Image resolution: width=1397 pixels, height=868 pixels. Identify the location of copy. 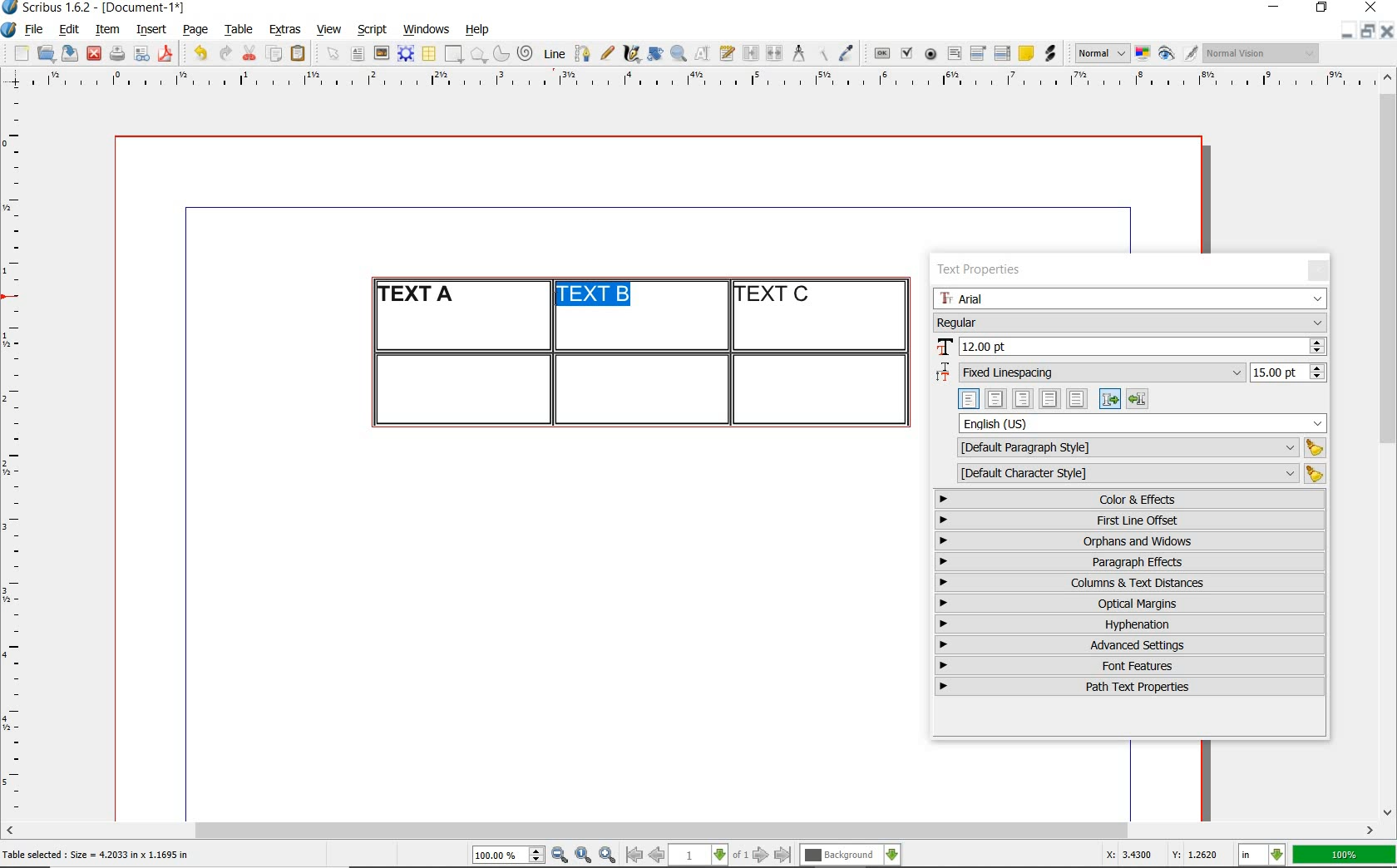
(275, 55).